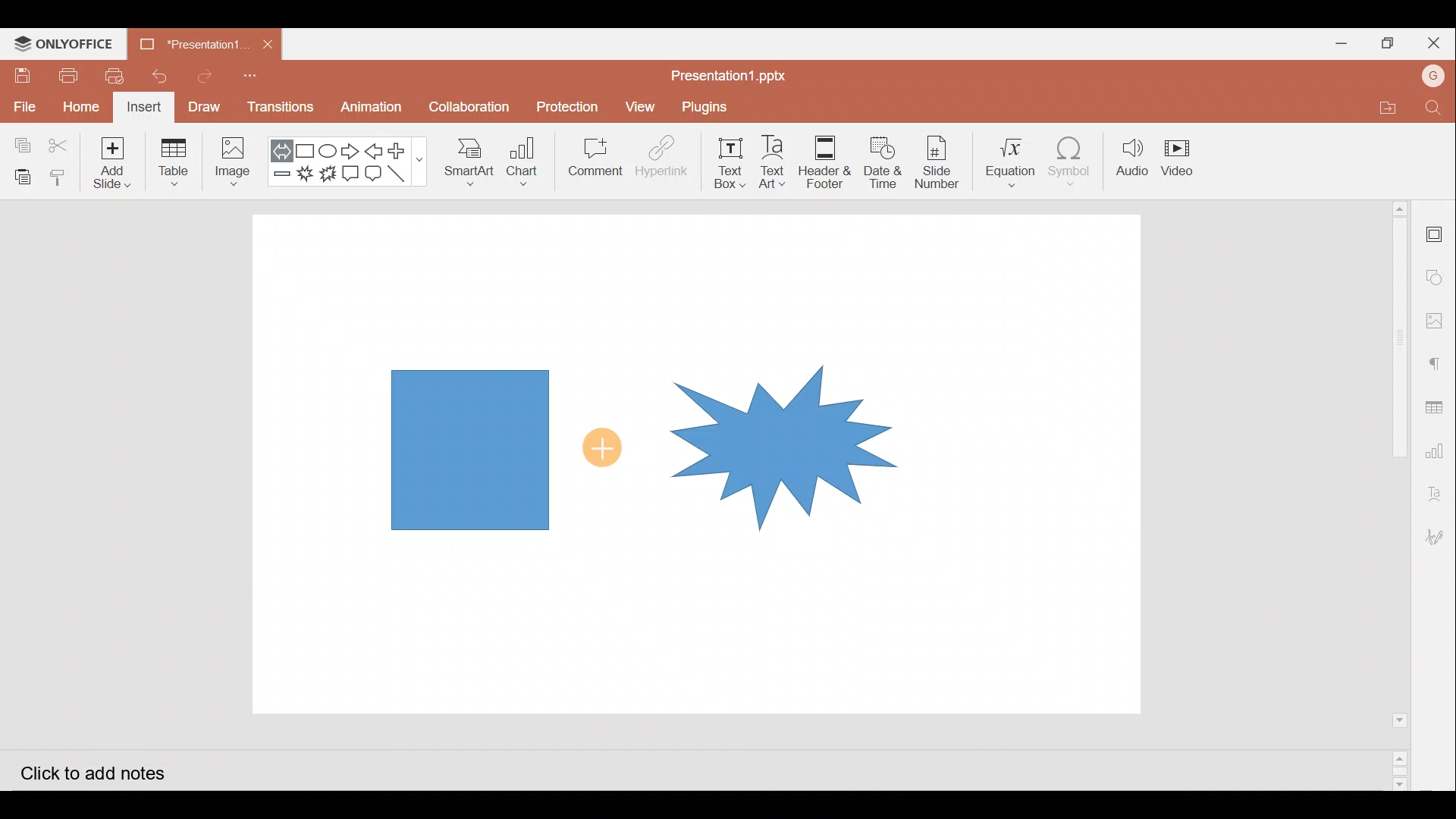  What do you see at coordinates (89, 770) in the screenshot?
I see `Click to add notes` at bounding box center [89, 770].